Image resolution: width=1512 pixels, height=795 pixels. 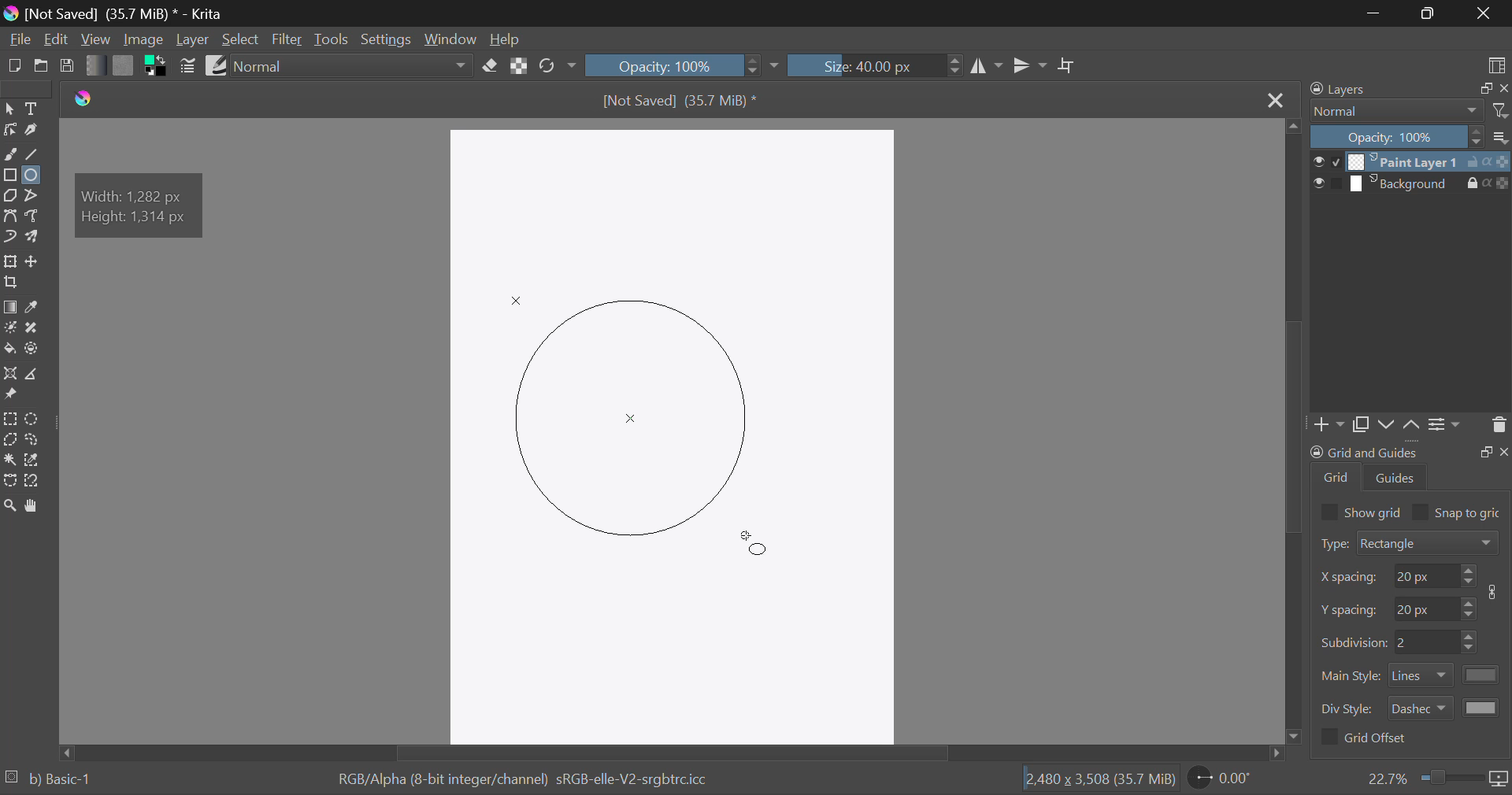 What do you see at coordinates (1295, 733) in the screenshot?
I see `move down` at bounding box center [1295, 733].